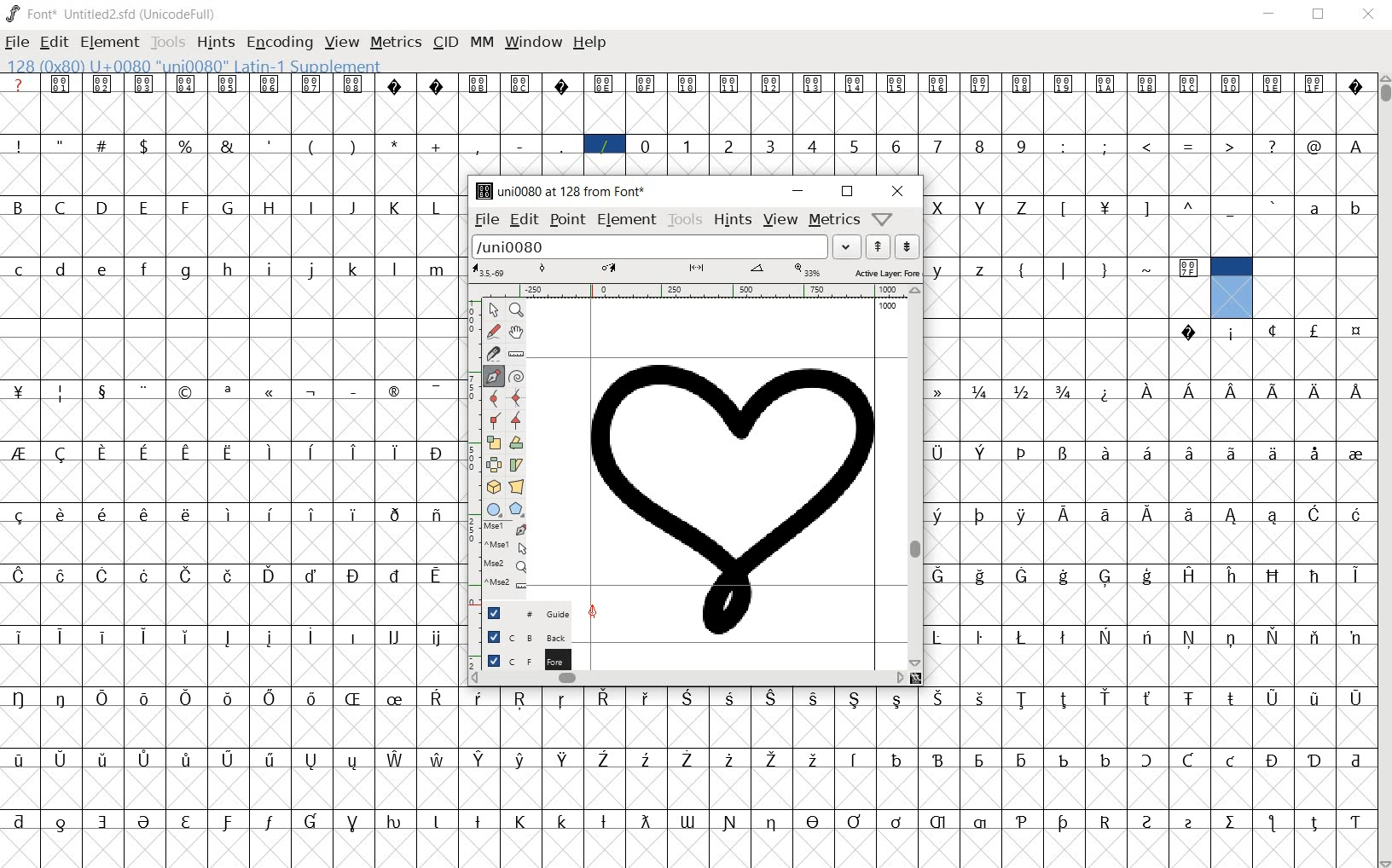  Describe the element at coordinates (1064, 391) in the screenshot. I see `glyph` at that location.